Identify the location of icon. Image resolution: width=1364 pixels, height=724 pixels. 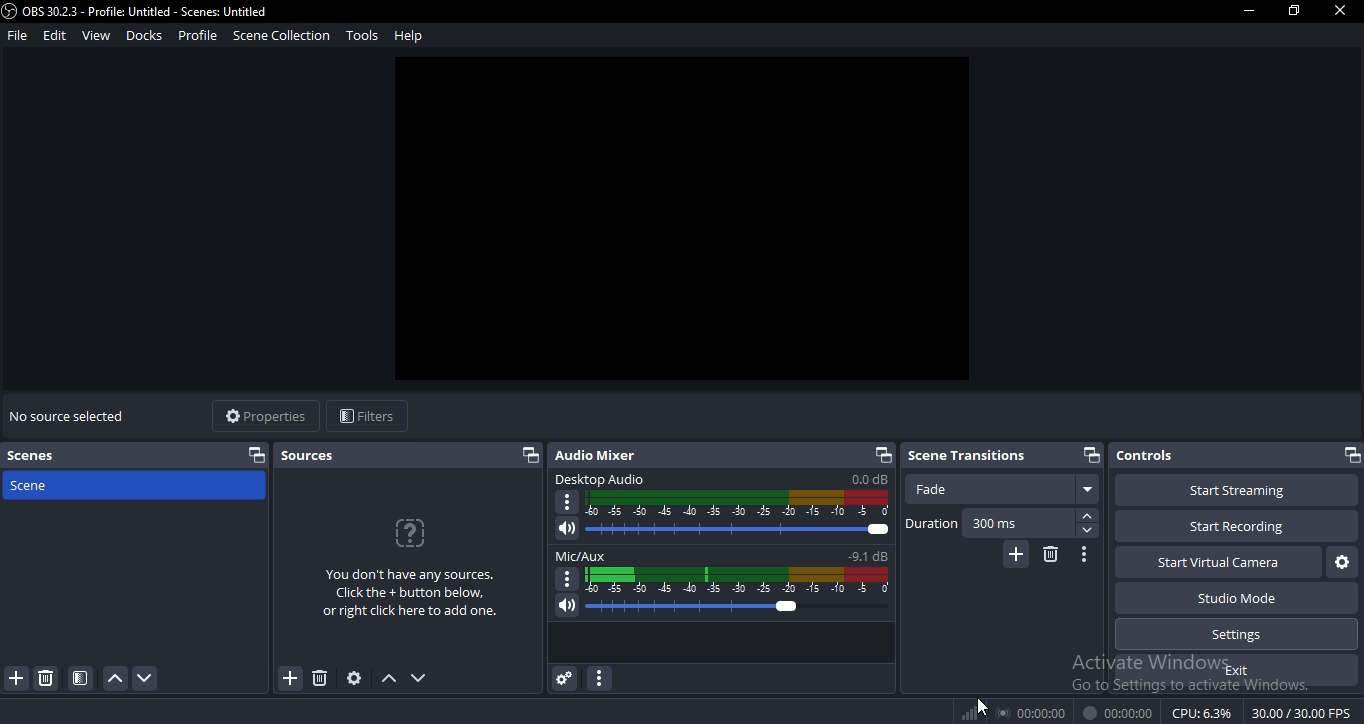
(970, 712).